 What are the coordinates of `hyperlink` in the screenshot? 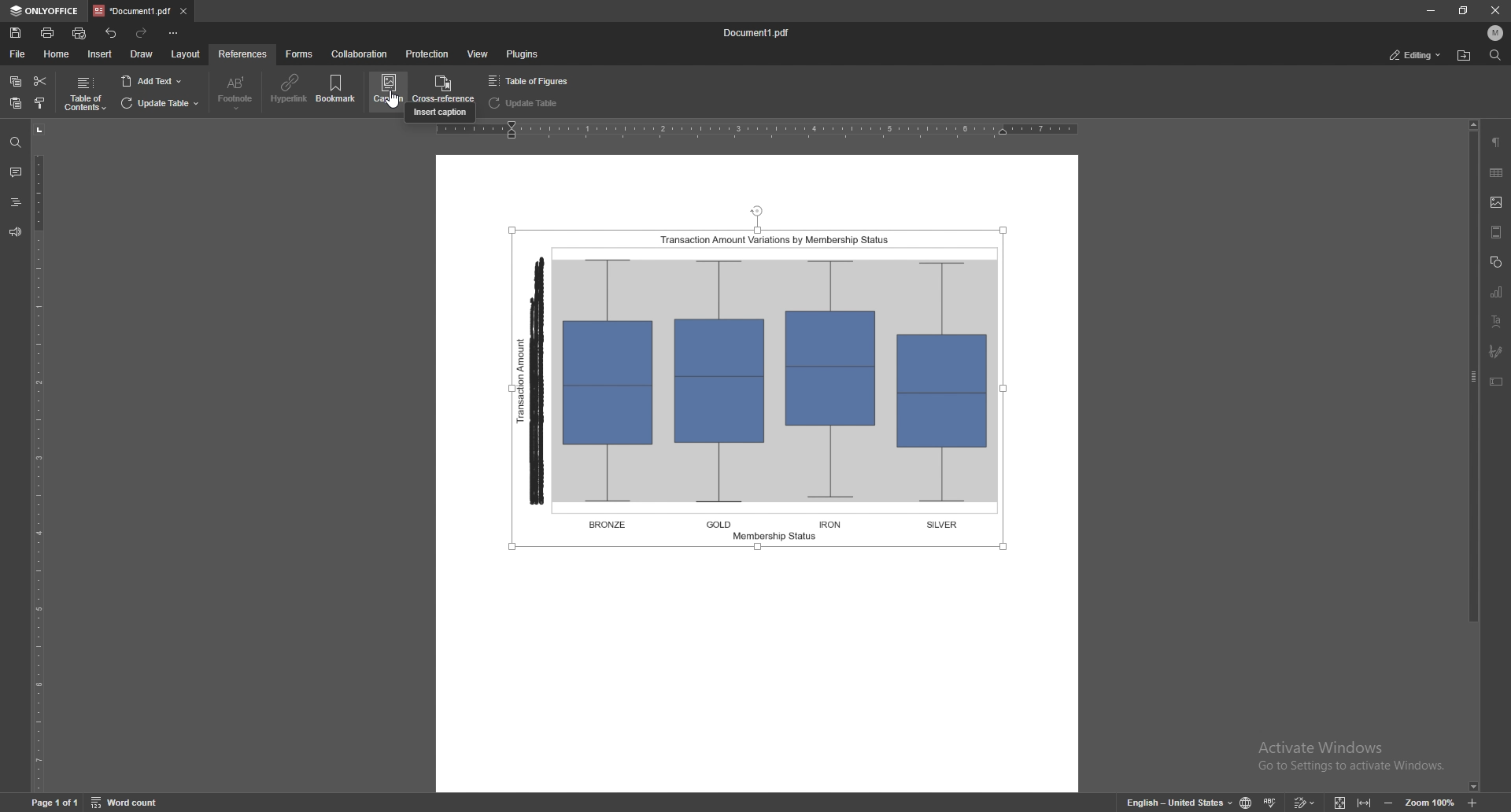 It's located at (290, 89).